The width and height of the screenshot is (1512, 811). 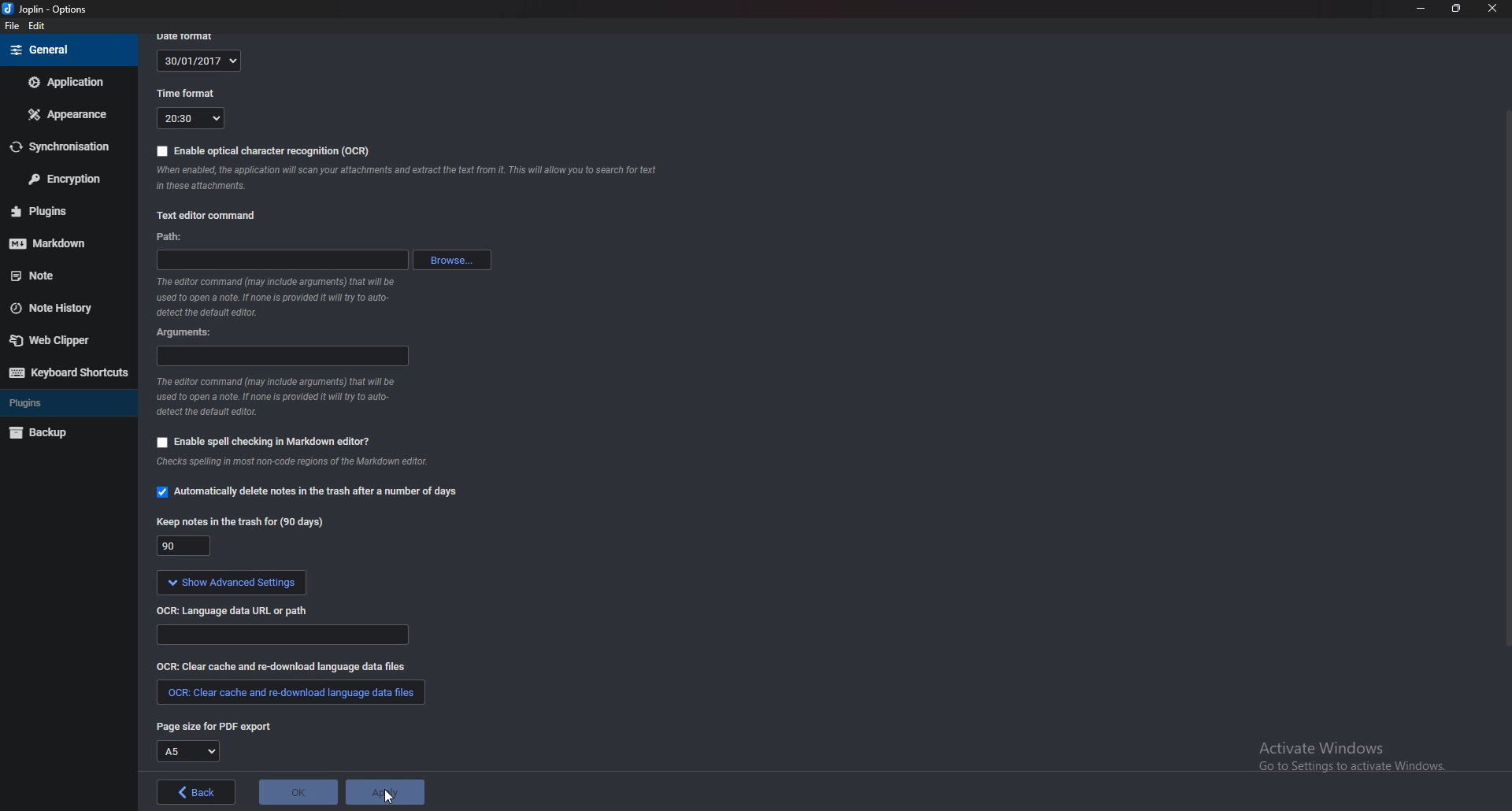 I want to click on Keyboard shortcuts, so click(x=66, y=373).